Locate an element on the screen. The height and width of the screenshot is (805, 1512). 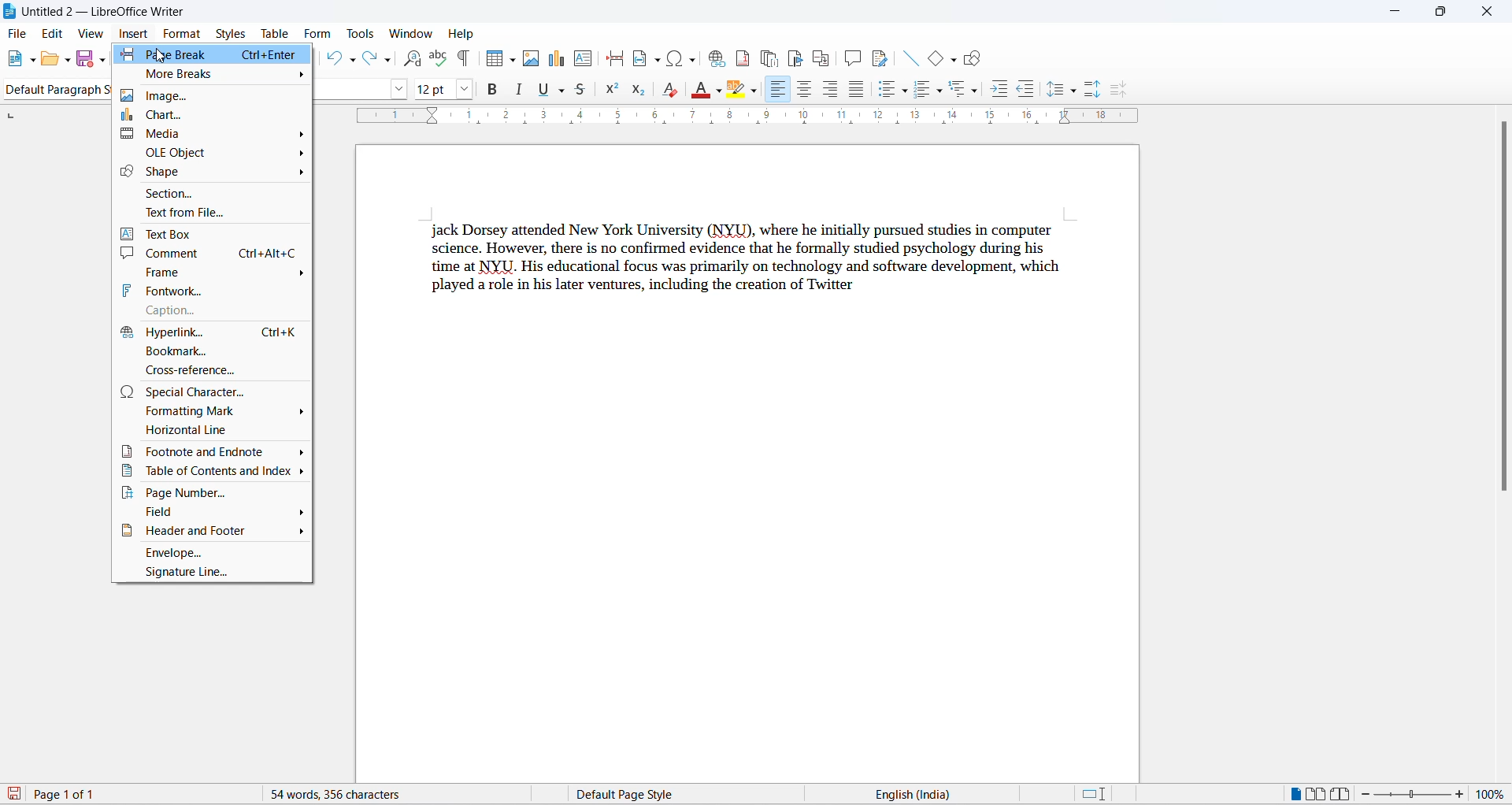
text align left is located at coordinates (781, 89).